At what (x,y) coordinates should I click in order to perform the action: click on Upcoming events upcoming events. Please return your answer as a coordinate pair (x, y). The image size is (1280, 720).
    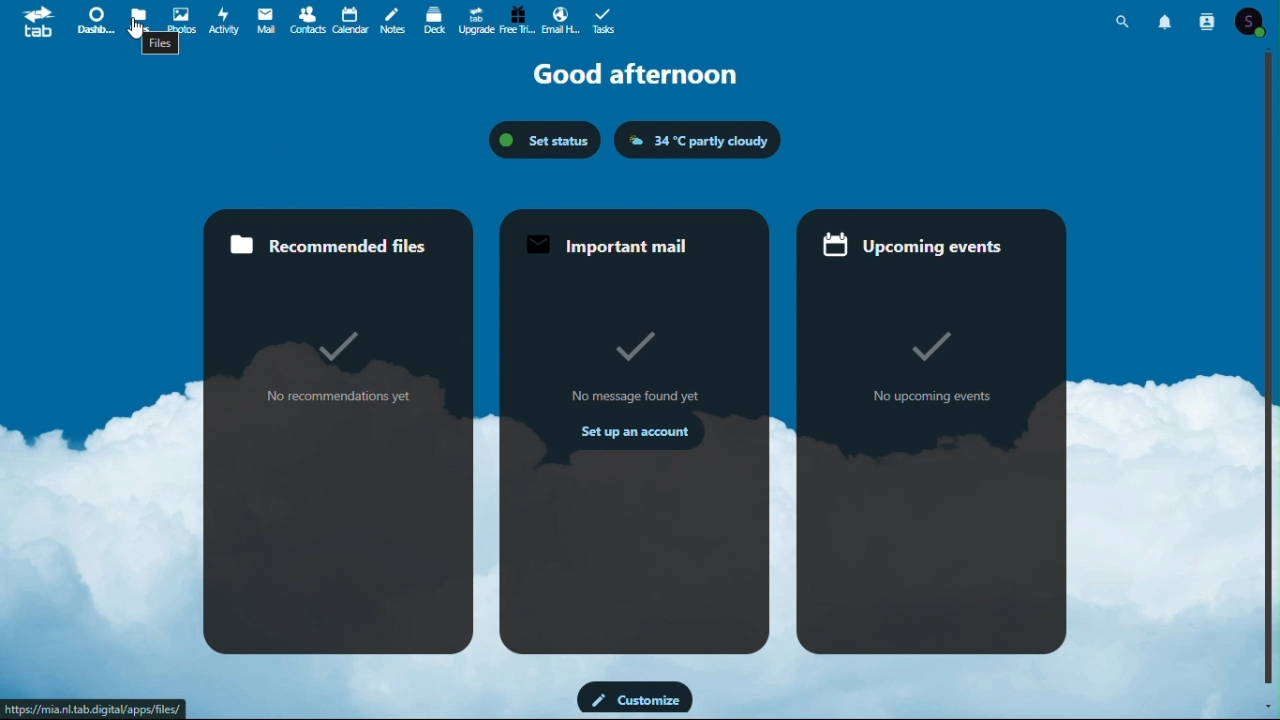
    Looking at the image, I should click on (933, 430).